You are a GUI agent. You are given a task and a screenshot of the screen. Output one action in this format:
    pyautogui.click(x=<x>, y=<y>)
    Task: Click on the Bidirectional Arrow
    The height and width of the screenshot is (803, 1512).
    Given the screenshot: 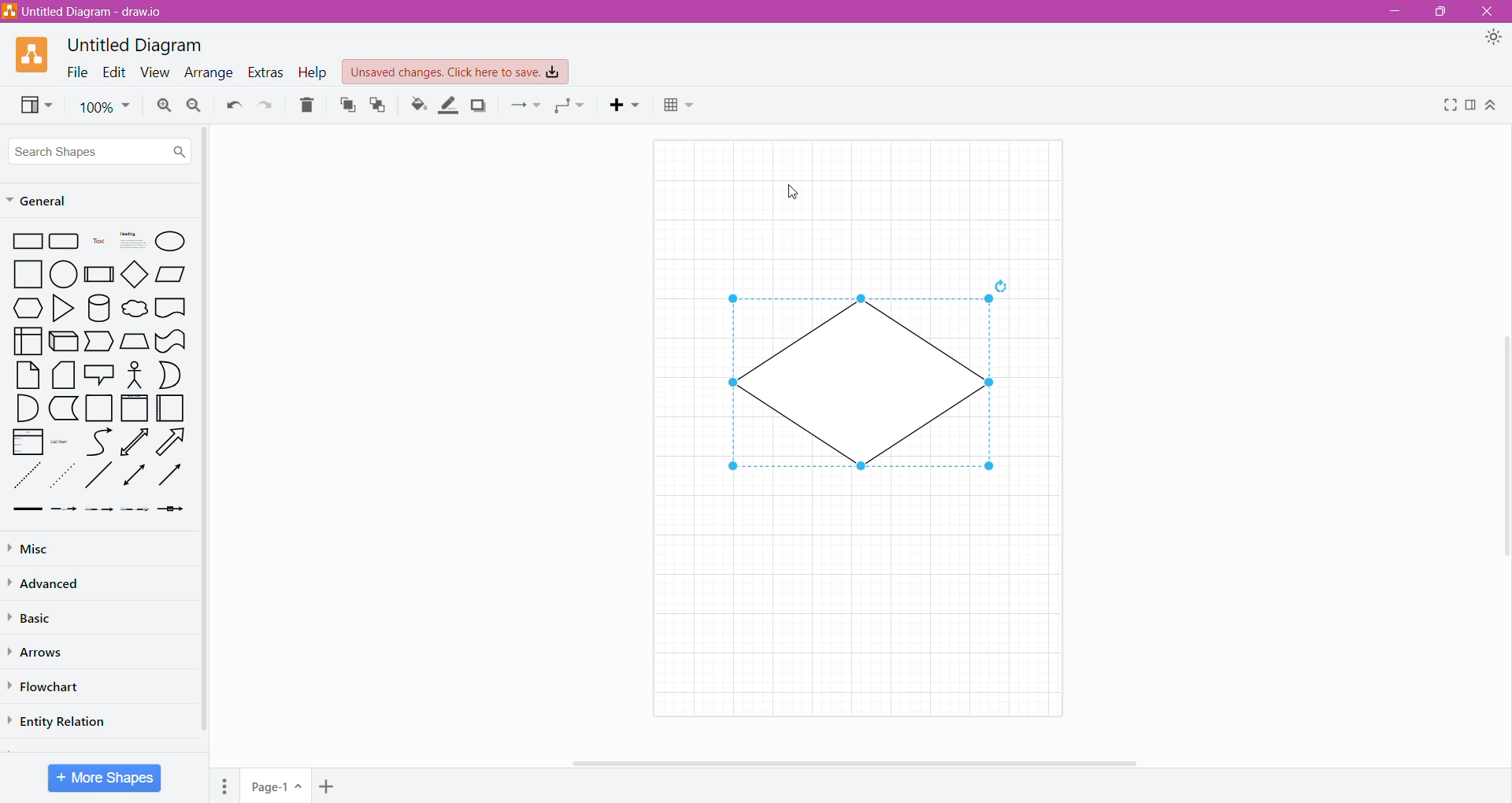 What is the action you would take?
    pyautogui.click(x=135, y=442)
    